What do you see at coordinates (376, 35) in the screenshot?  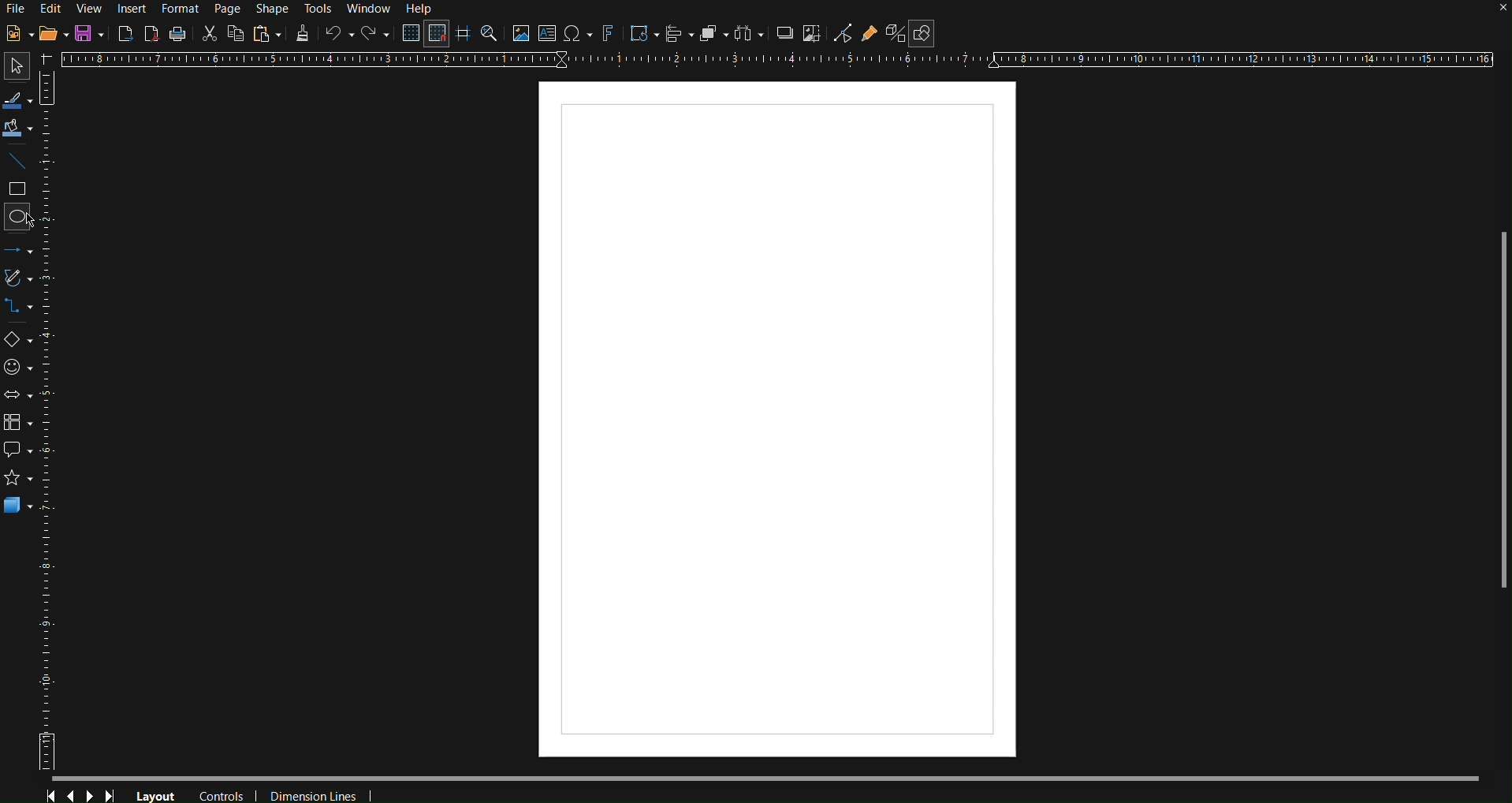 I see `Redo` at bounding box center [376, 35].